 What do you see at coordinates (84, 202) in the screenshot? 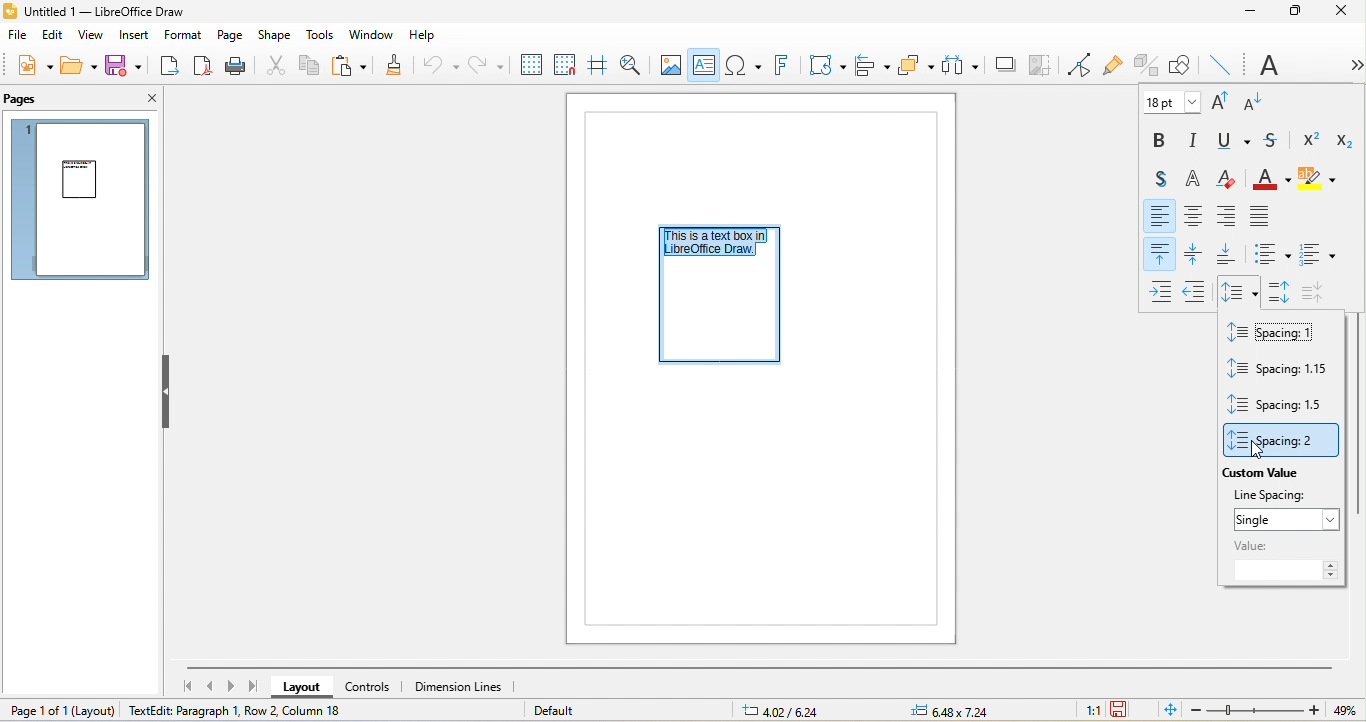
I see `page 1` at bounding box center [84, 202].